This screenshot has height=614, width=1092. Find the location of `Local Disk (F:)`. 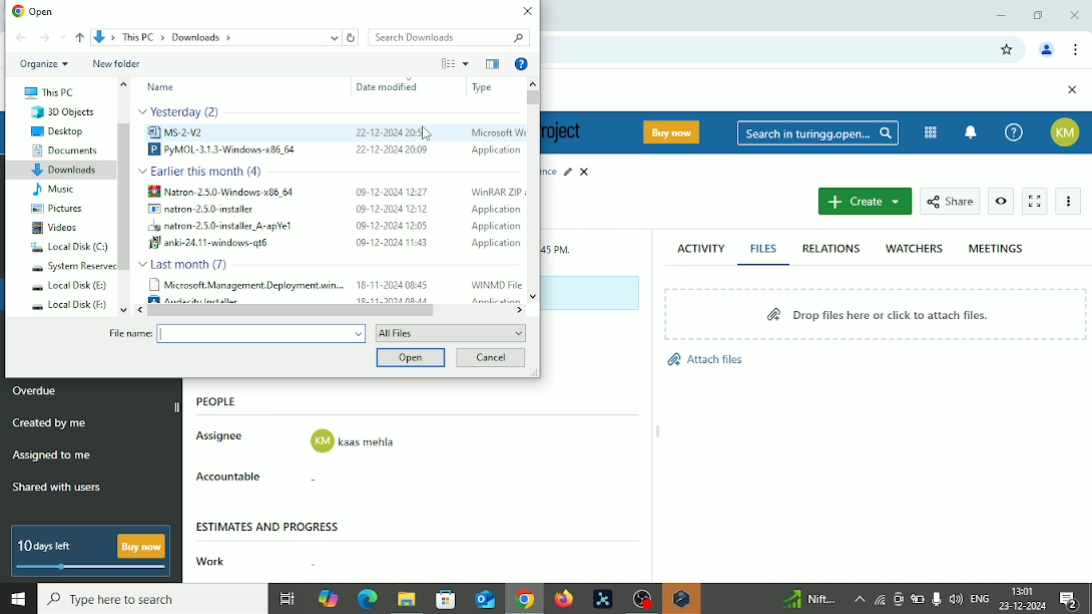

Local Disk (F:) is located at coordinates (64, 307).